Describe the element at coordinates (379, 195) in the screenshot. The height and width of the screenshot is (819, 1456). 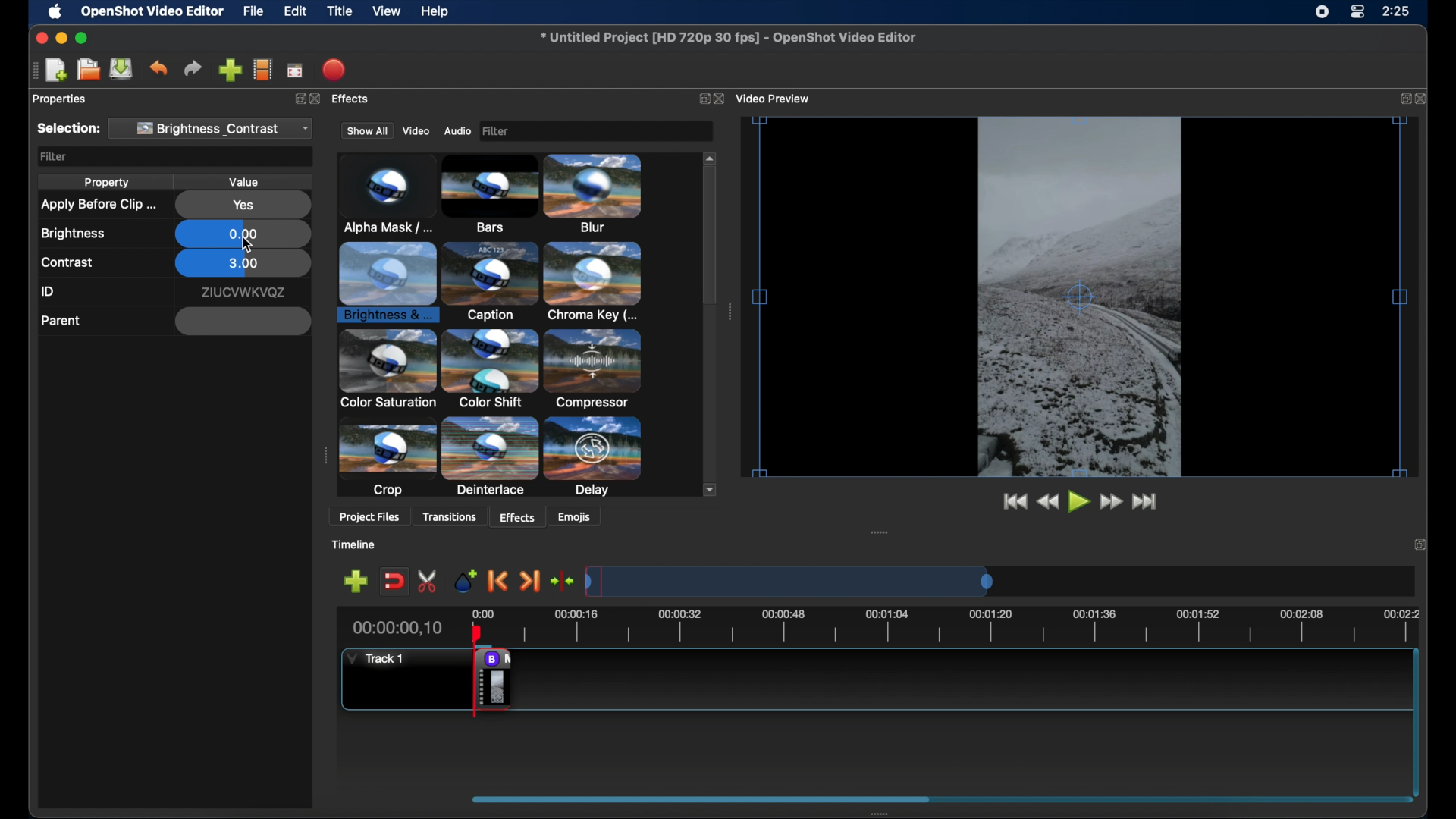
I see `bars` at that location.